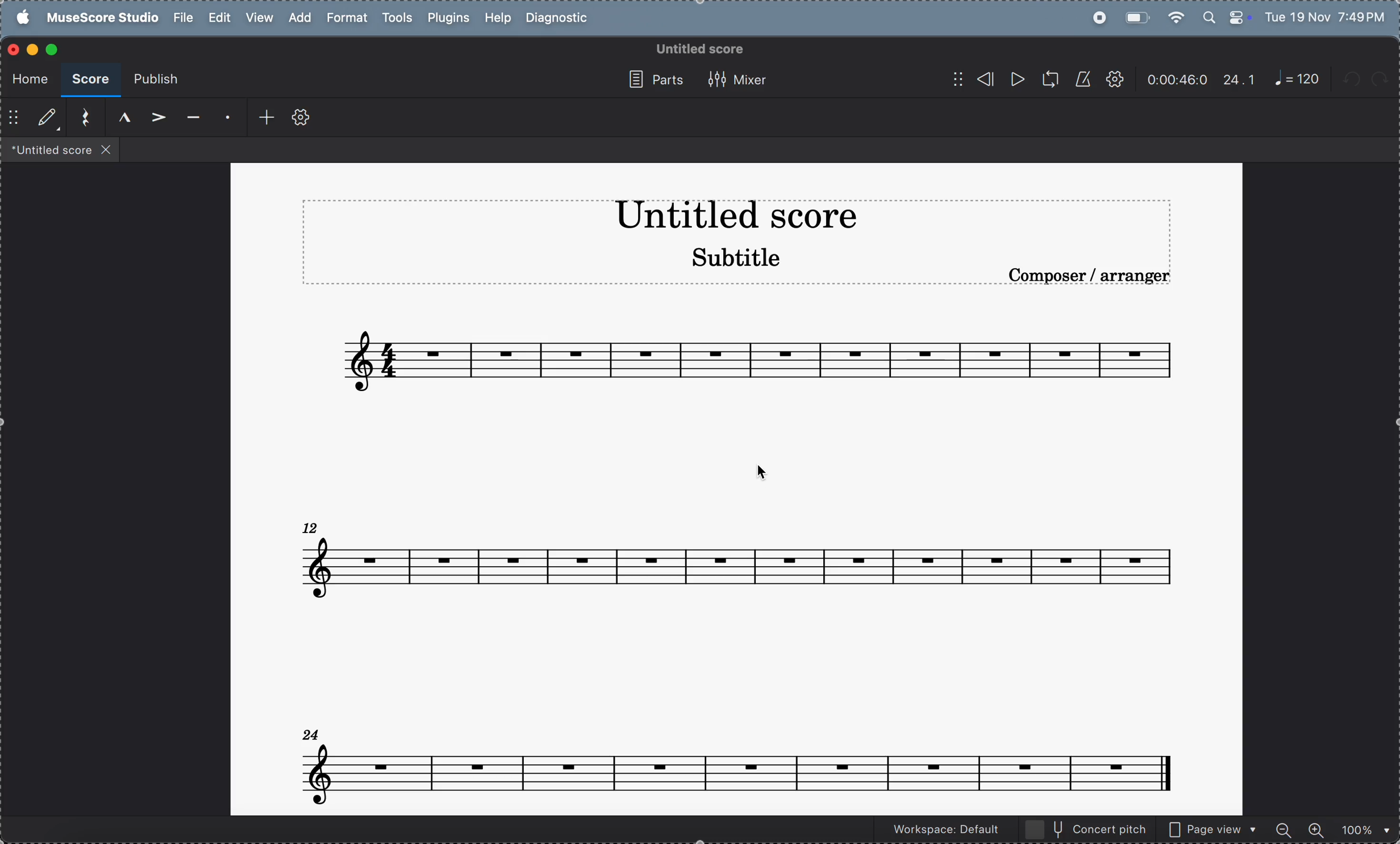  Describe the element at coordinates (1226, 16) in the screenshot. I see `apple widgets` at that location.